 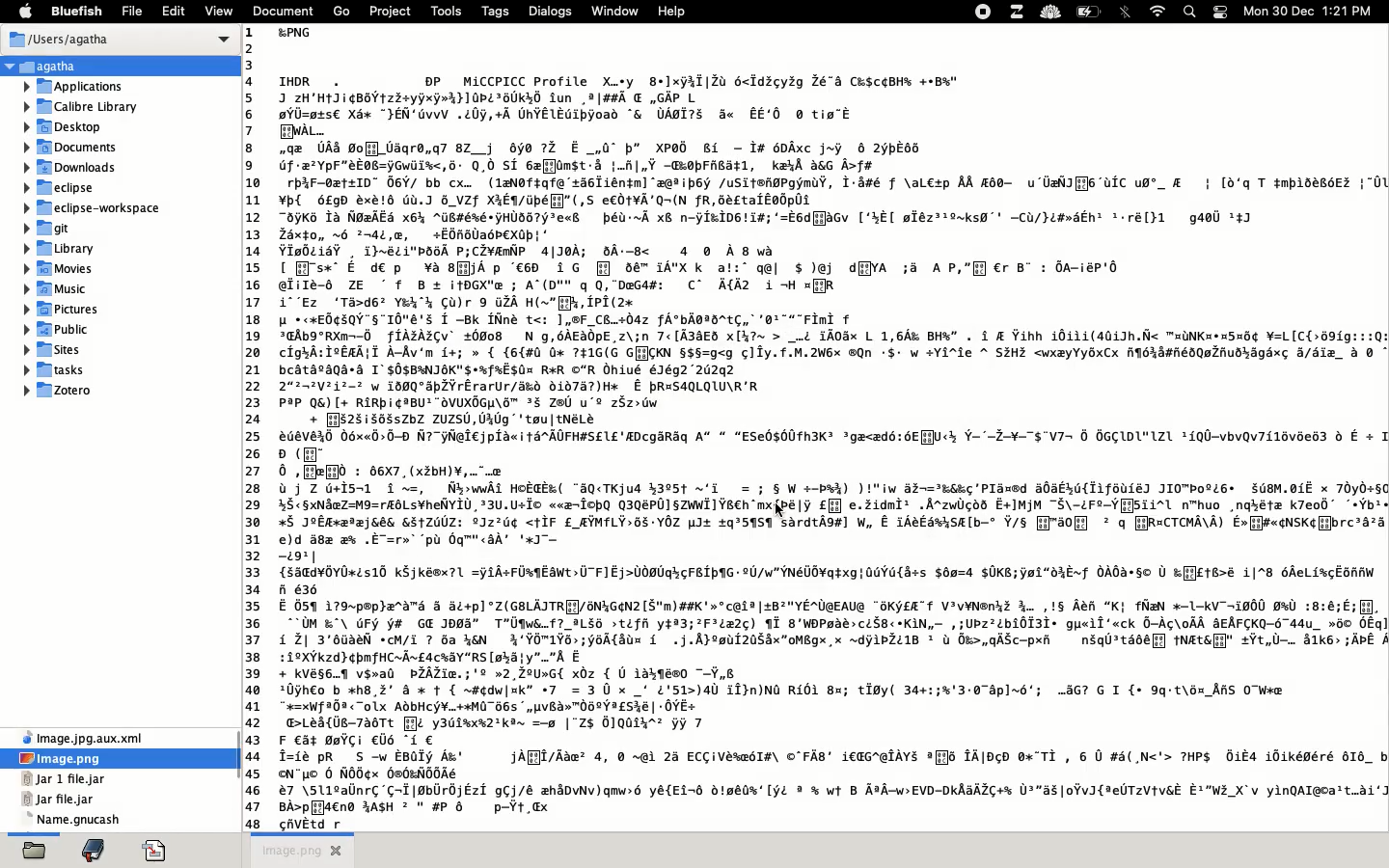 What do you see at coordinates (61, 187) in the screenshot?
I see `eclipse` at bounding box center [61, 187].